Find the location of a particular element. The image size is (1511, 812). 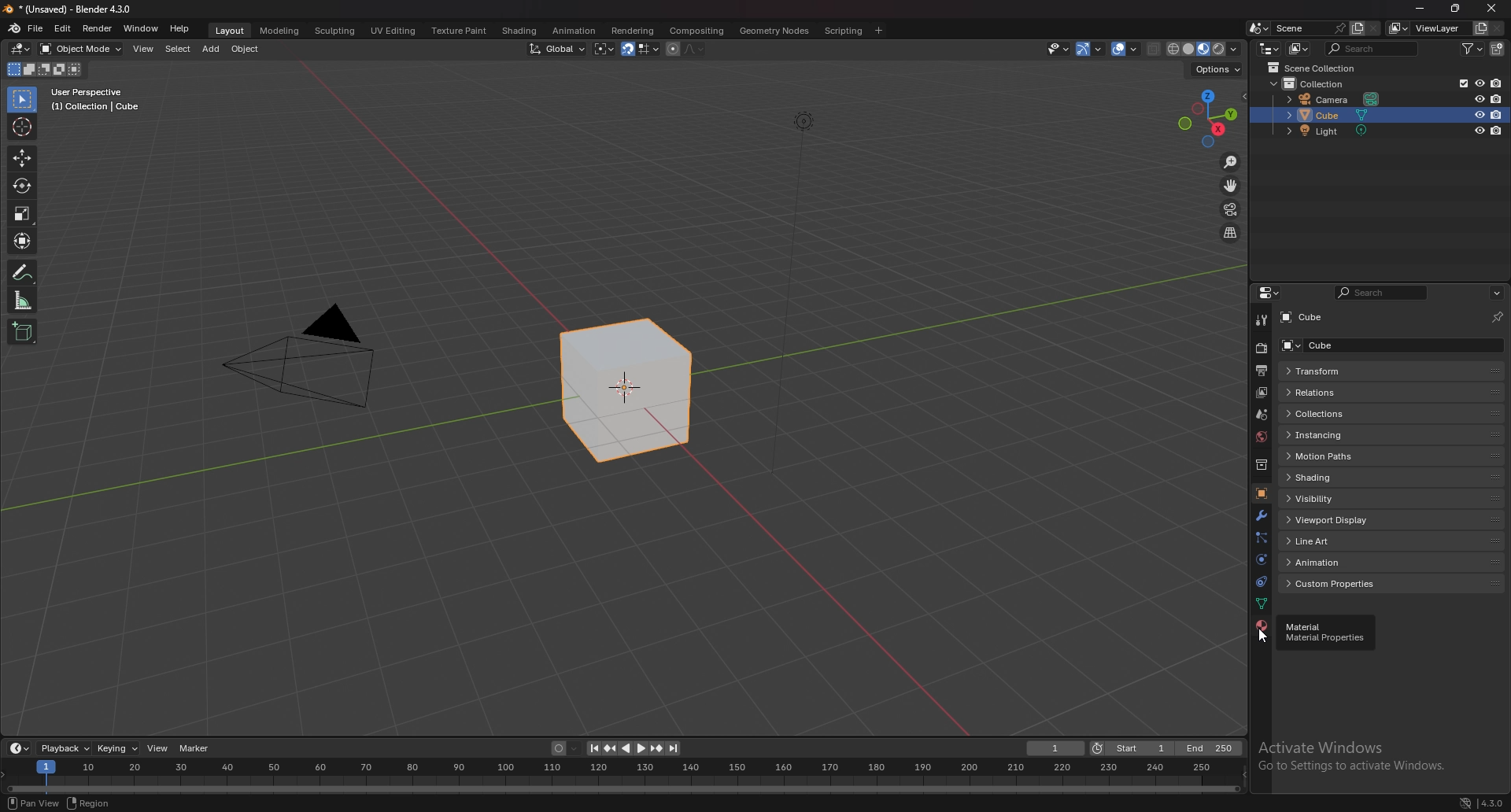

object mode is located at coordinates (82, 48).